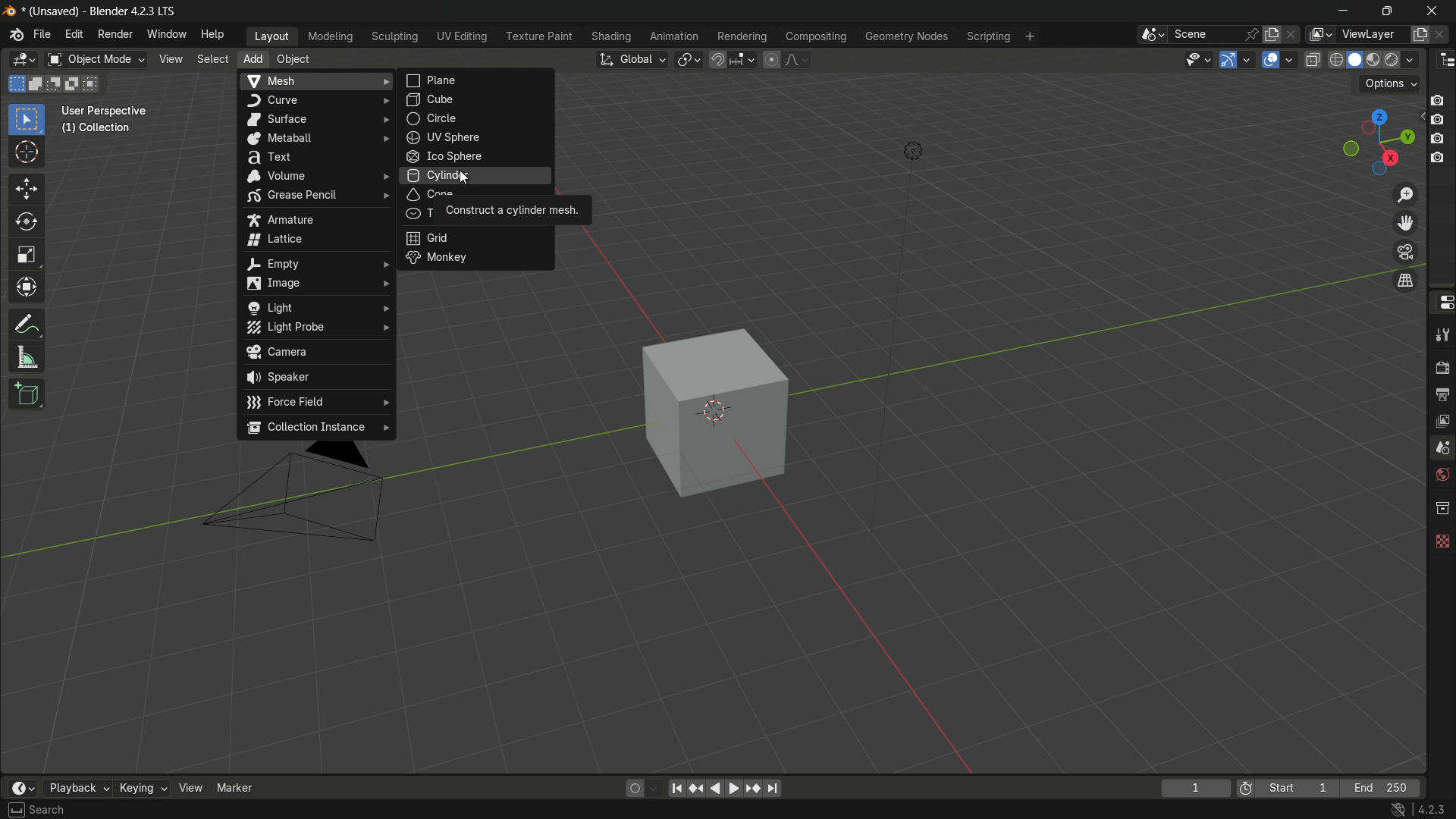  What do you see at coordinates (96, 83) in the screenshot?
I see `intersect existing selection` at bounding box center [96, 83].